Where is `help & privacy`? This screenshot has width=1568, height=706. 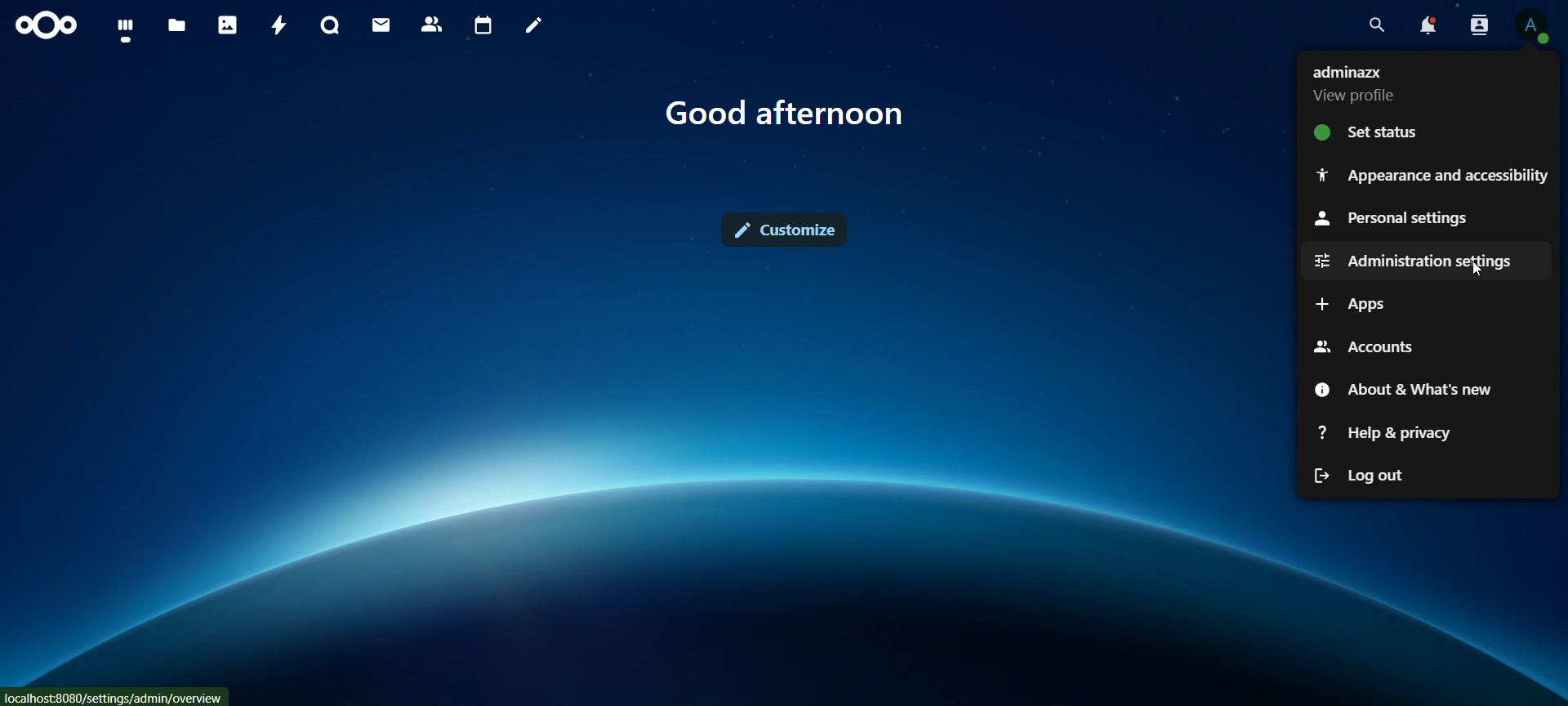 help & privacy is located at coordinates (1377, 436).